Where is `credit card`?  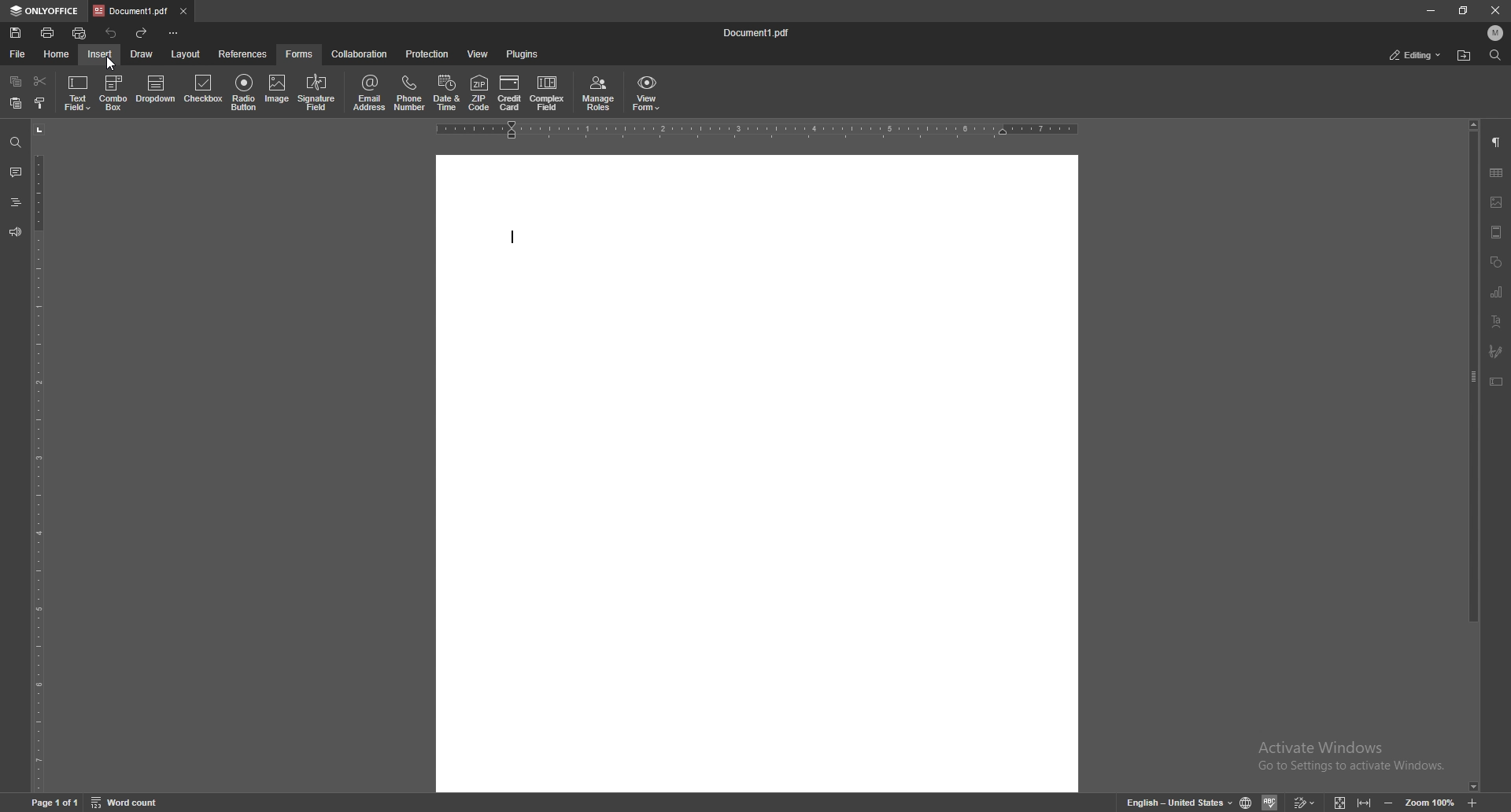 credit card is located at coordinates (512, 93).